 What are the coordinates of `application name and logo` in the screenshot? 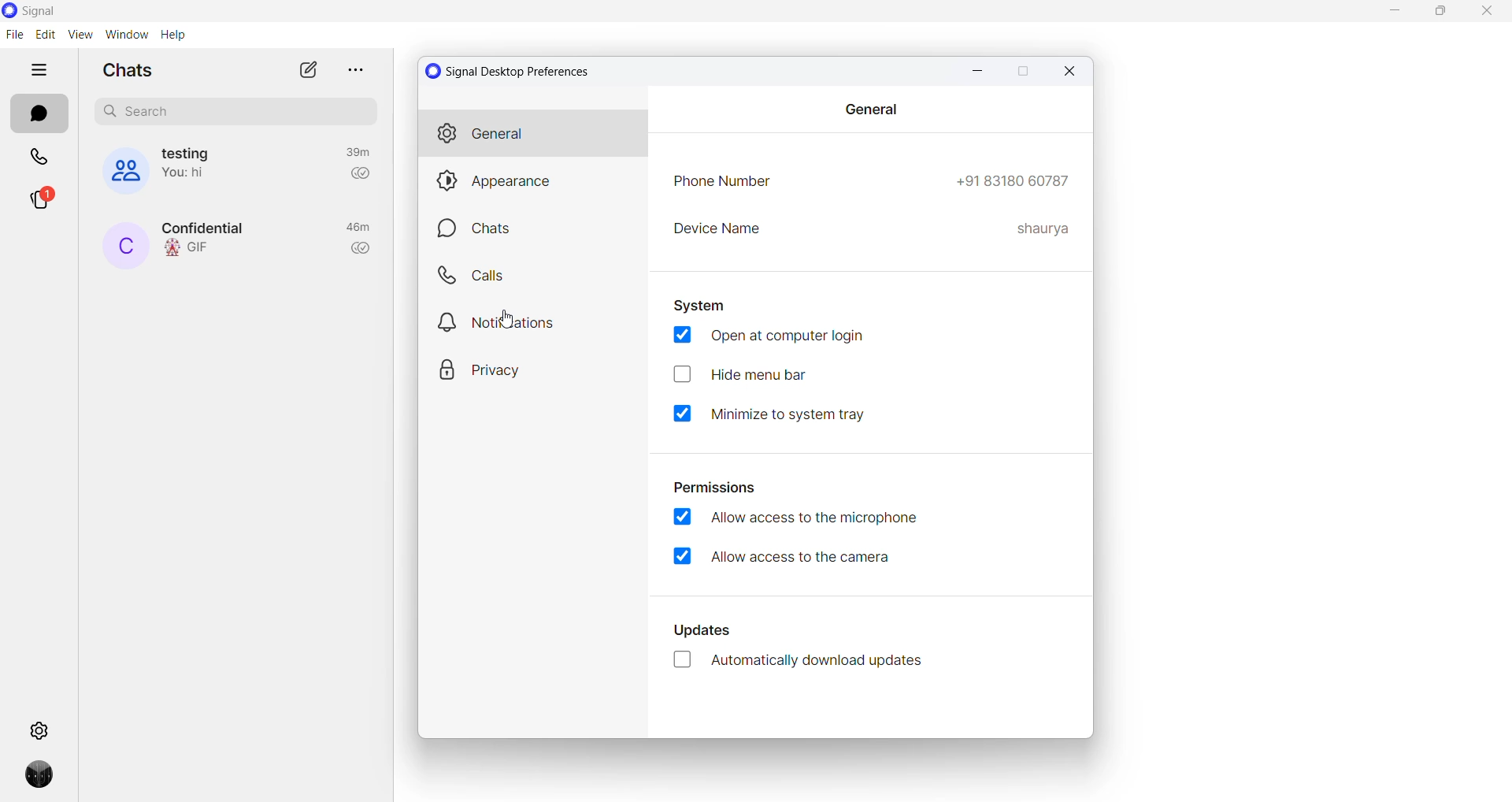 It's located at (57, 11).